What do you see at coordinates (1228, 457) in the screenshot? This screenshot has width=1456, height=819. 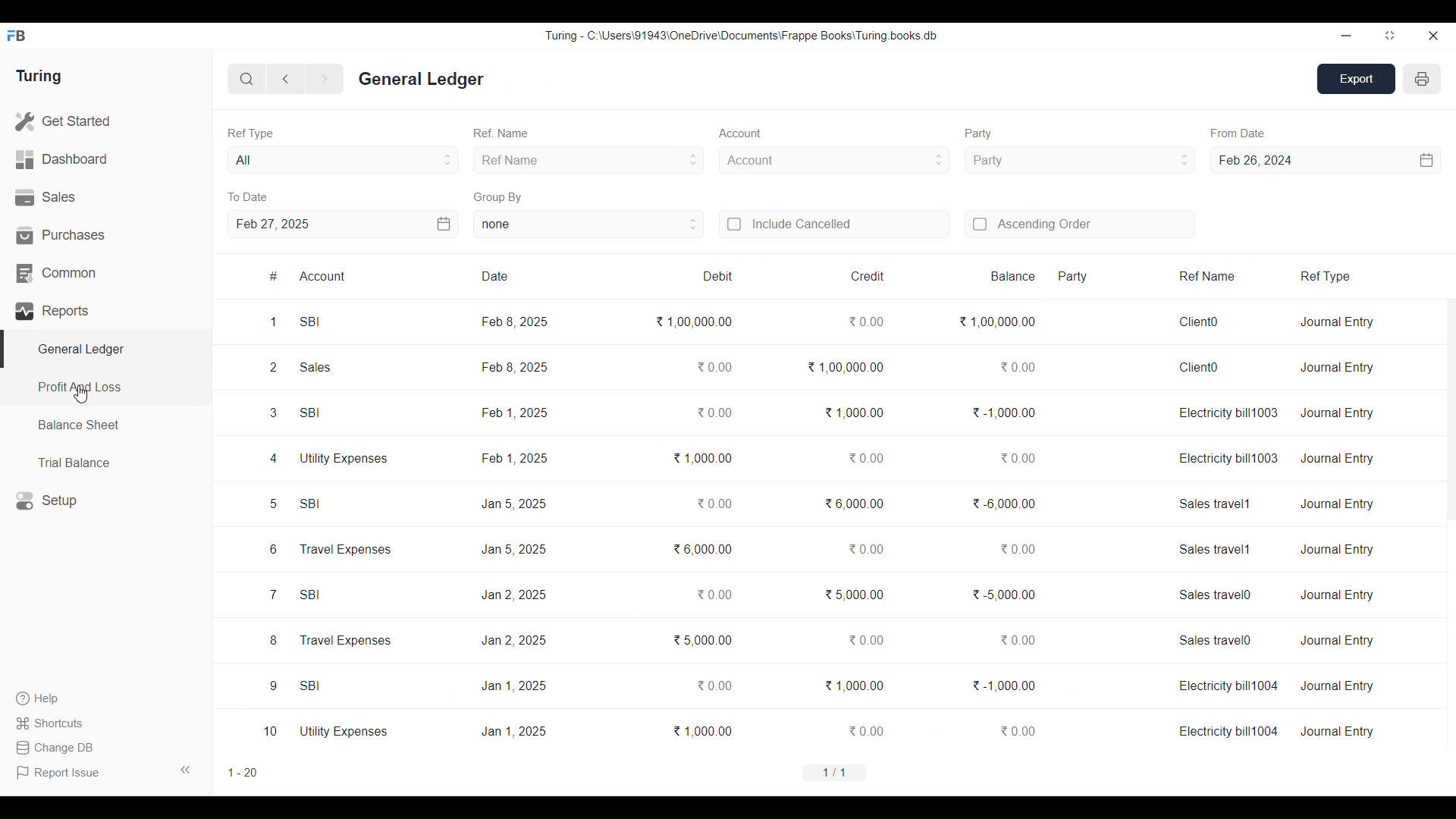 I see `Electricity bill1003` at bounding box center [1228, 457].